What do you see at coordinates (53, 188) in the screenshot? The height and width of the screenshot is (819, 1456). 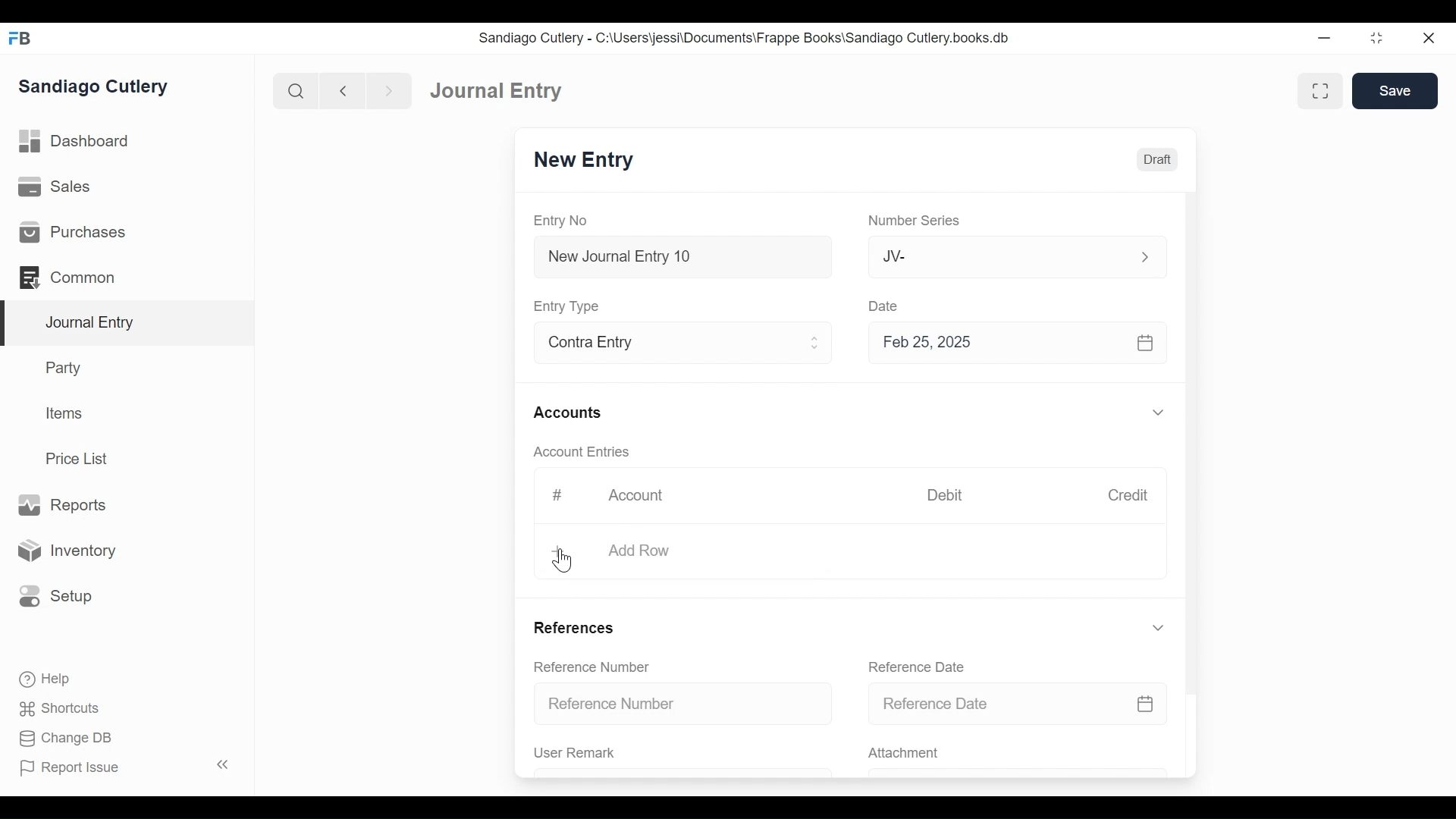 I see `Sales` at bounding box center [53, 188].